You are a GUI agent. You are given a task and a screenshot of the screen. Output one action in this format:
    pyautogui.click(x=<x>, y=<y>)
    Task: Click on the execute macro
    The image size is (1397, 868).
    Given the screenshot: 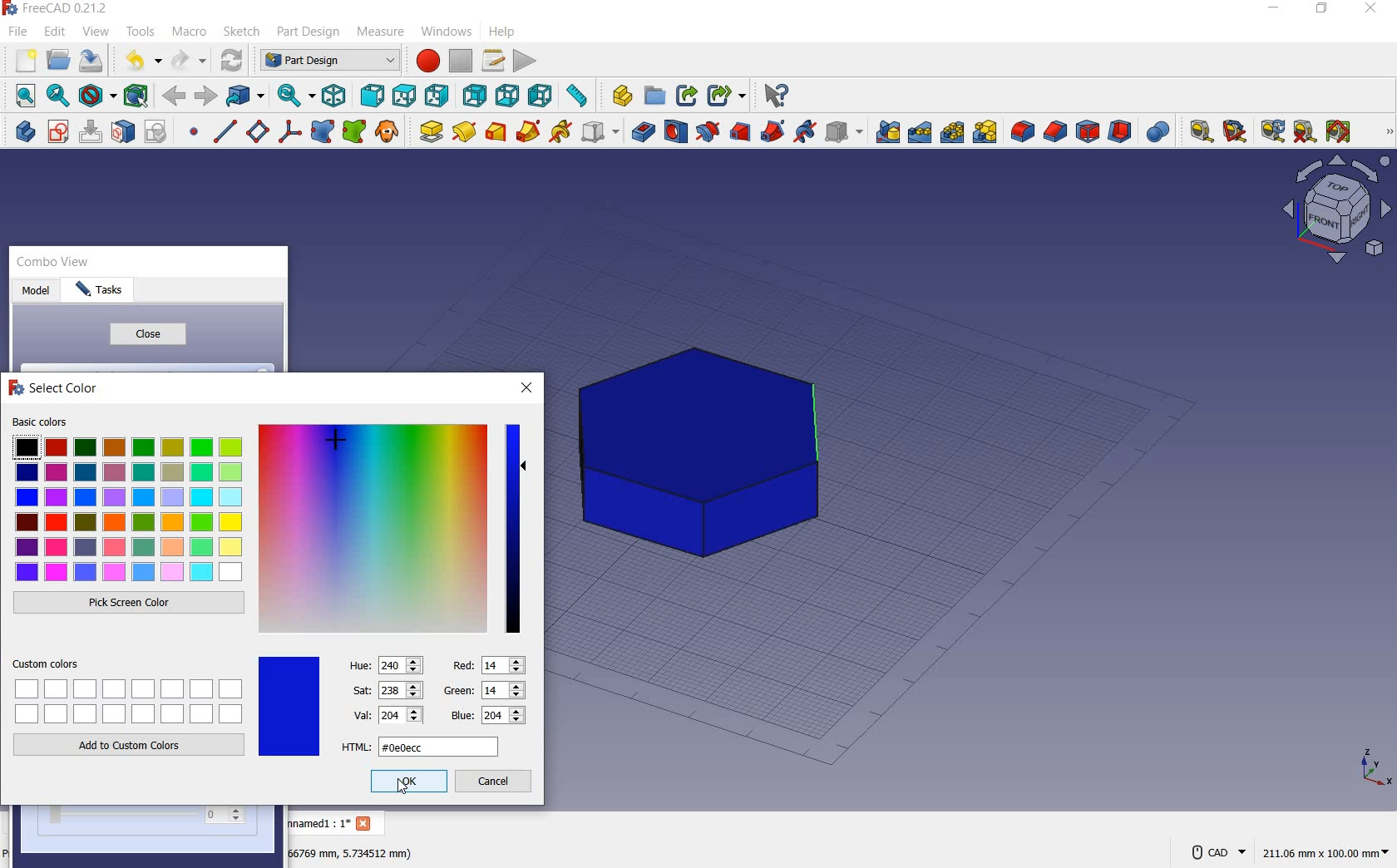 What is the action you would take?
    pyautogui.click(x=526, y=62)
    